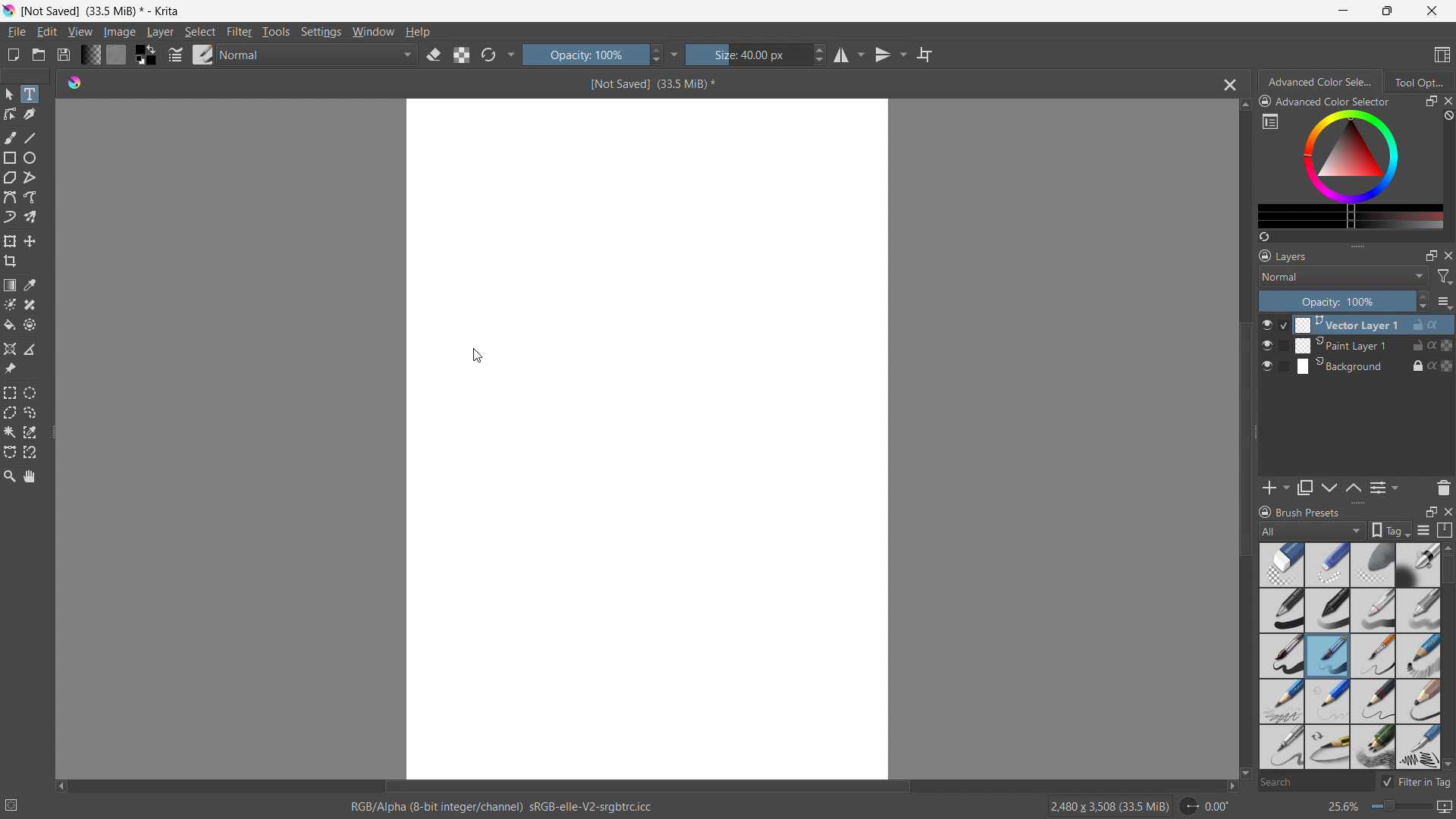  I want to click on reload original preset, so click(488, 54).